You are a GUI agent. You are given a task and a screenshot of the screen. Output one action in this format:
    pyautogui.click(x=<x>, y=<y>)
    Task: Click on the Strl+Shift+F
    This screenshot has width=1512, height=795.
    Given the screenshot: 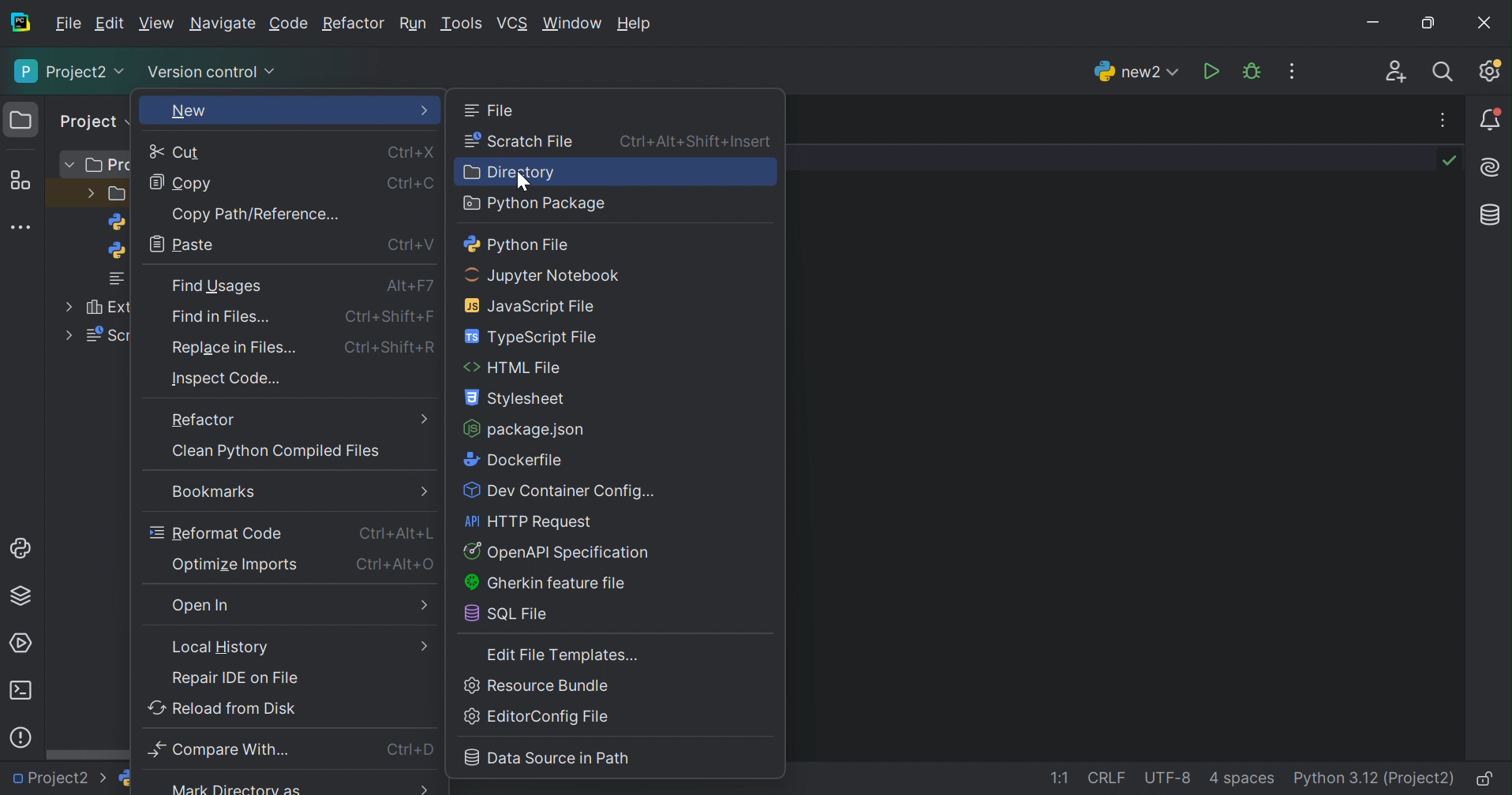 What is the action you would take?
    pyautogui.click(x=386, y=315)
    